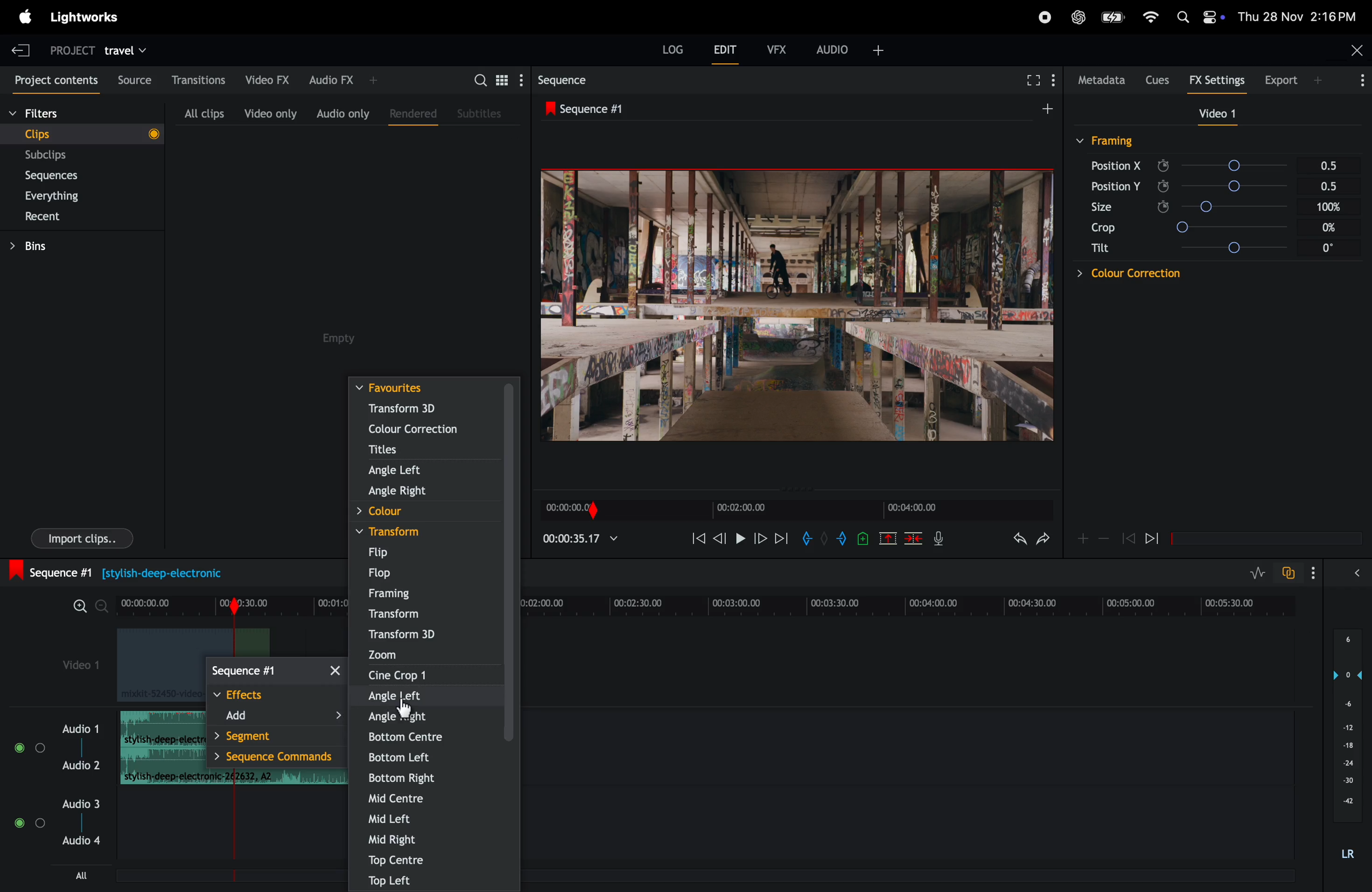 This screenshot has width=1372, height=892. I want to click on edit, so click(726, 52).